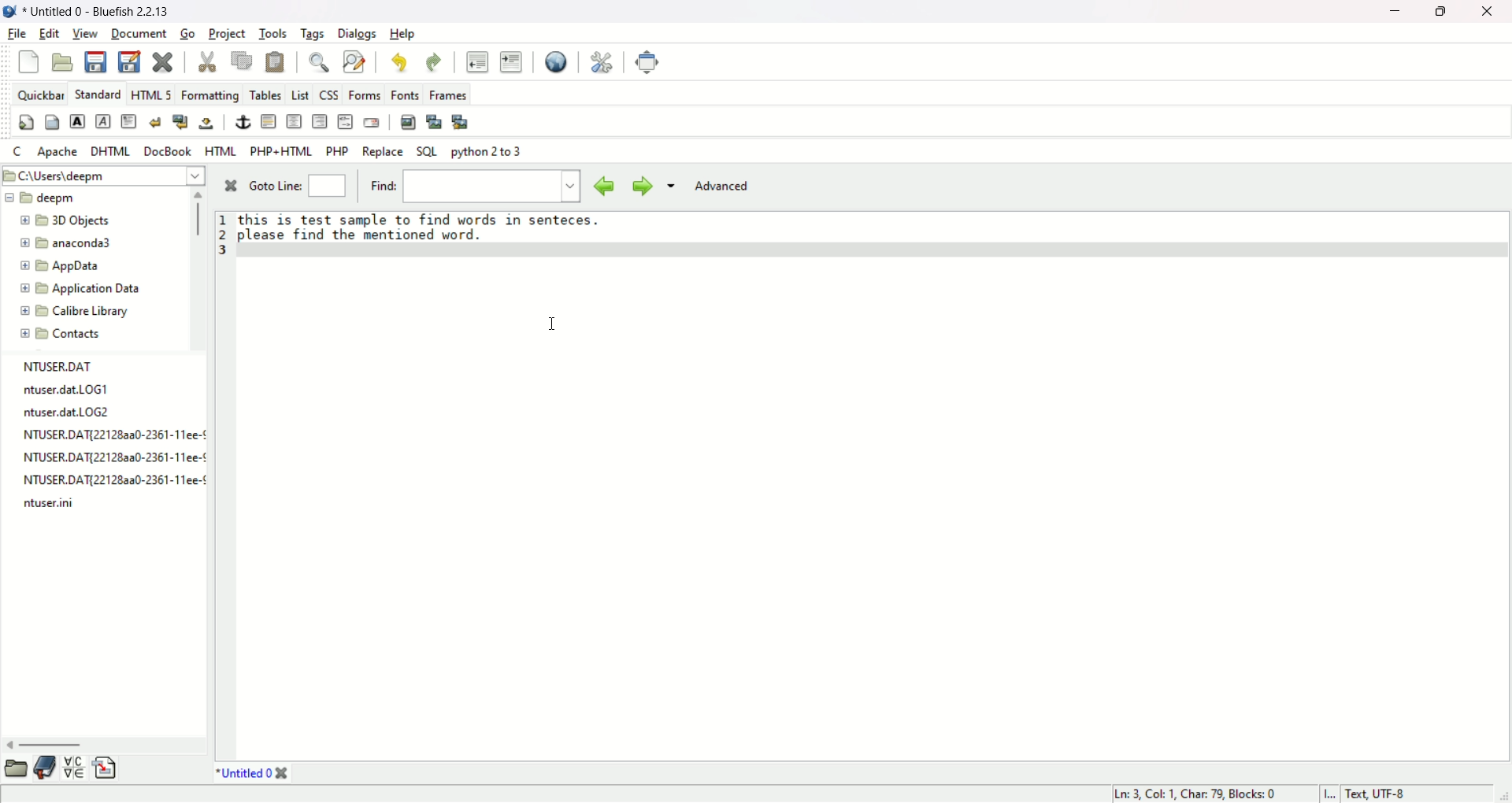  I want to click on PHP+HTML, so click(280, 151).